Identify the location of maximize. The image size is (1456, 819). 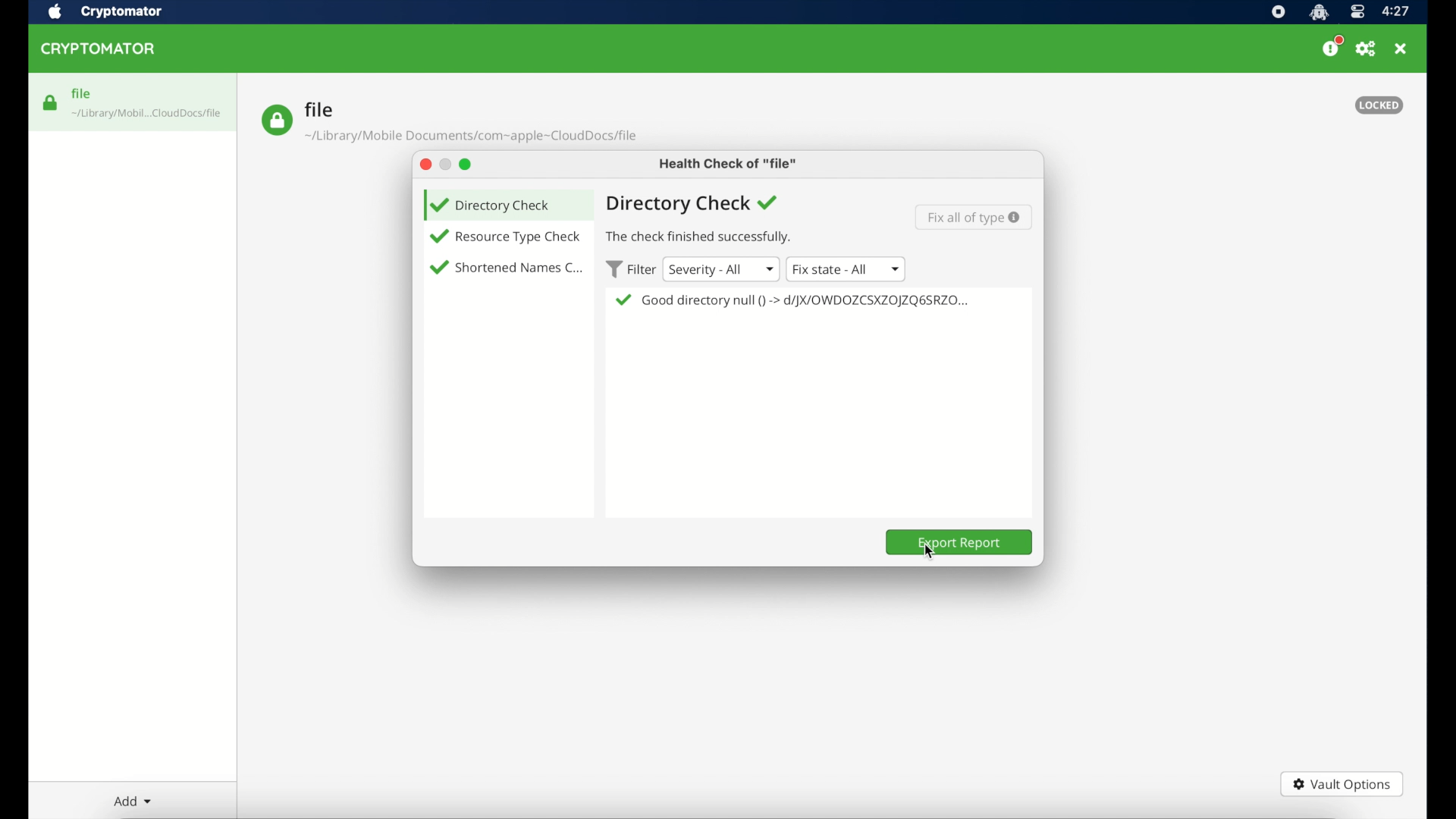
(467, 164).